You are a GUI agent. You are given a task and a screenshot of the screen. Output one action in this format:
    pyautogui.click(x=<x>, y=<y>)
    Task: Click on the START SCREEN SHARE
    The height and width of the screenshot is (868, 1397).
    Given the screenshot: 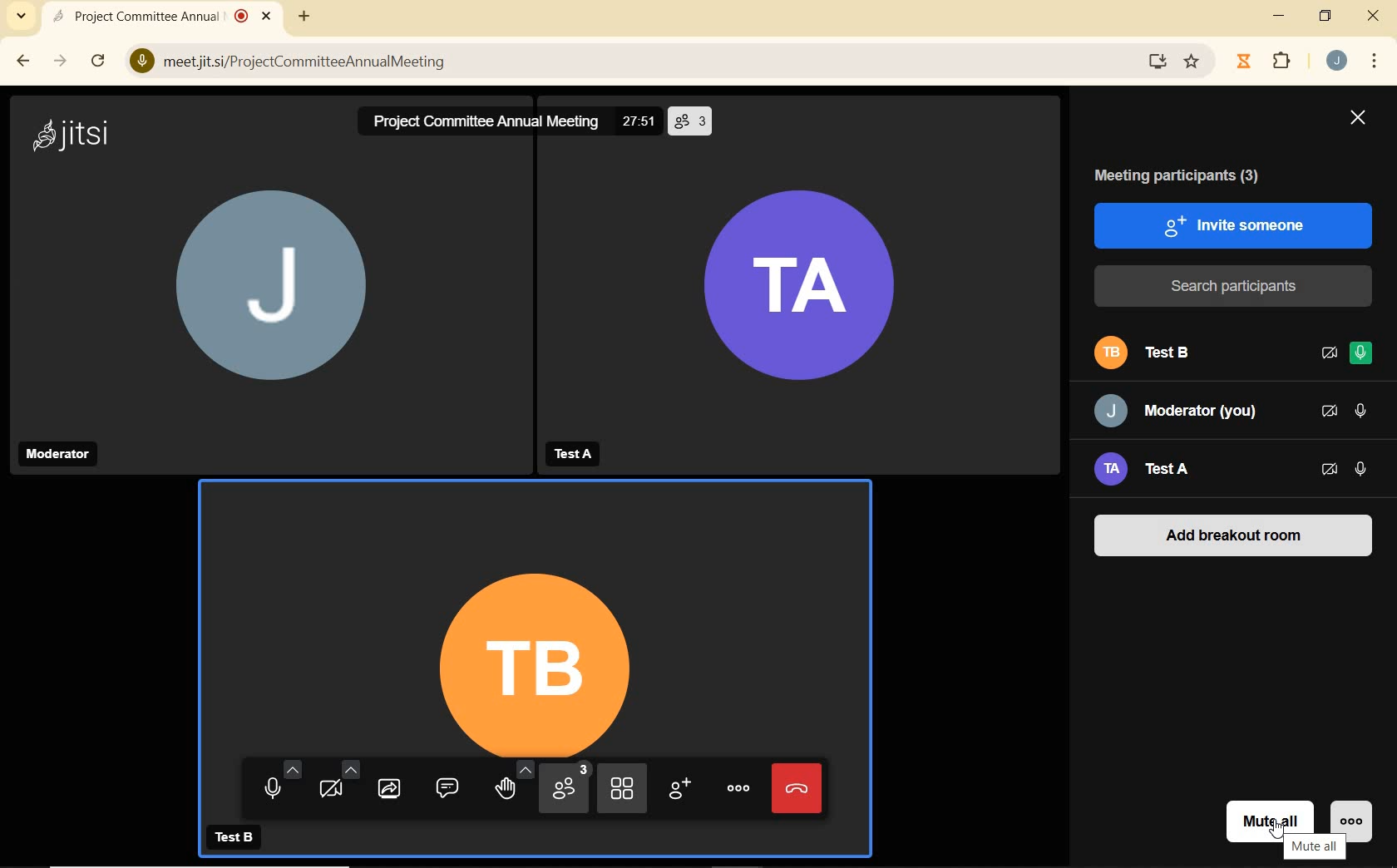 What is the action you would take?
    pyautogui.click(x=388, y=791)
    